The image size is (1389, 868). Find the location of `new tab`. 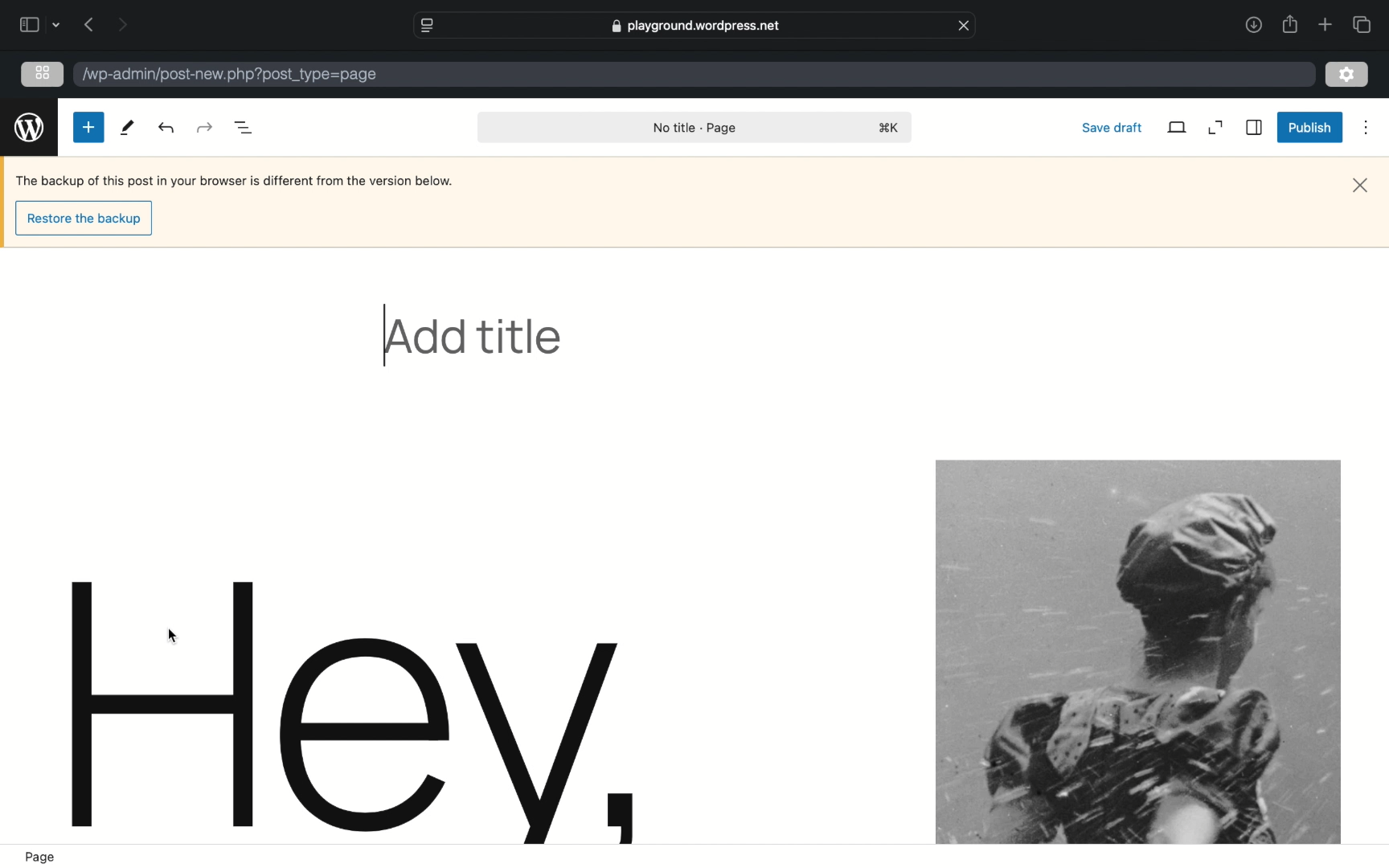

new tab is located at coordinates (1324, 25).